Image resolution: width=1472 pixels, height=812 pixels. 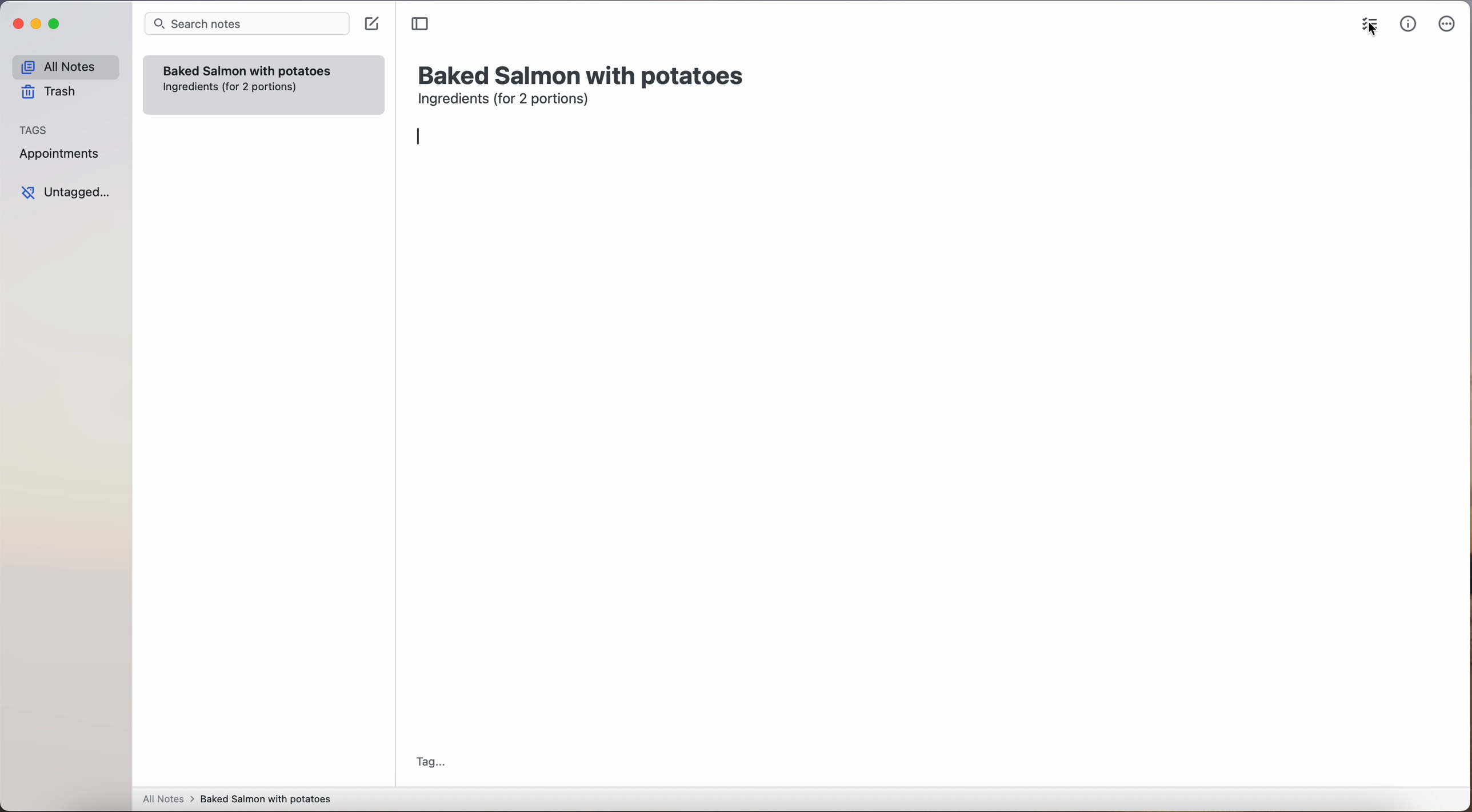 I want to click on metrics, so click(x=1409, y=23).